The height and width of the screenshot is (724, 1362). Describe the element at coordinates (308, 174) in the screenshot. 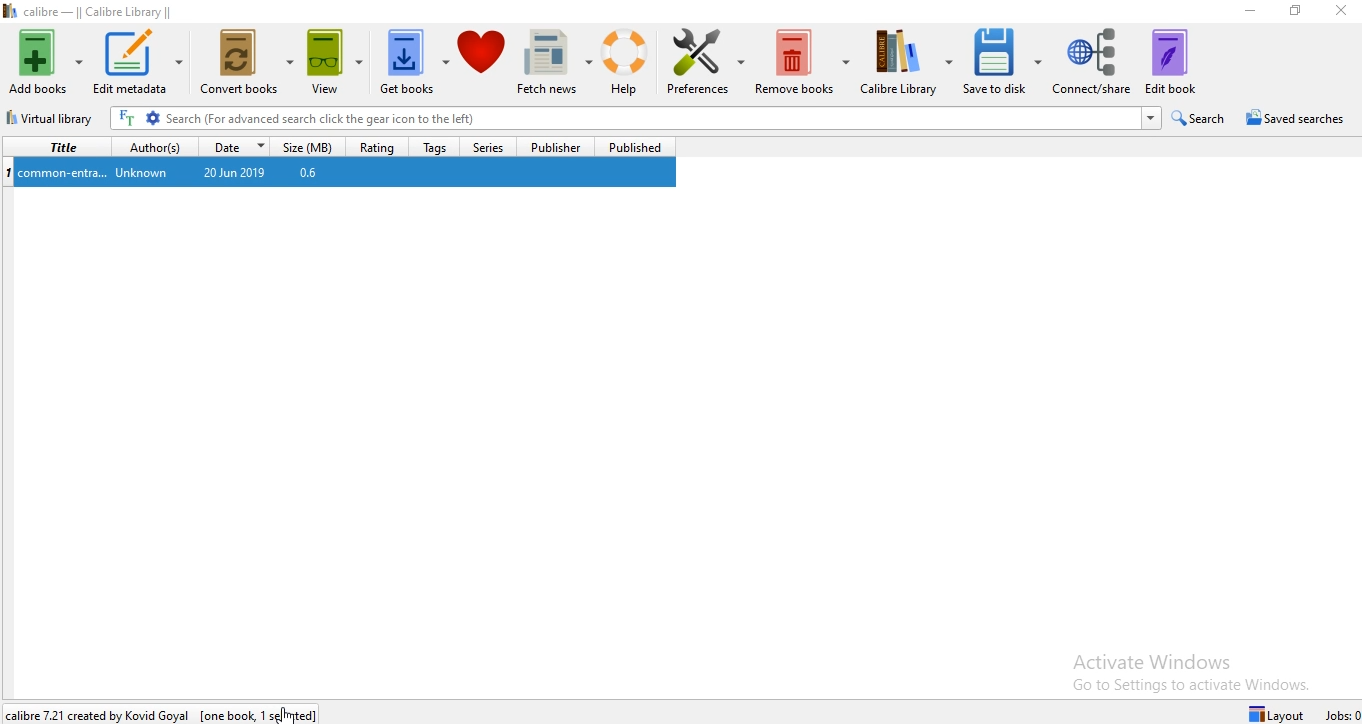

I see `0.6` at that location.